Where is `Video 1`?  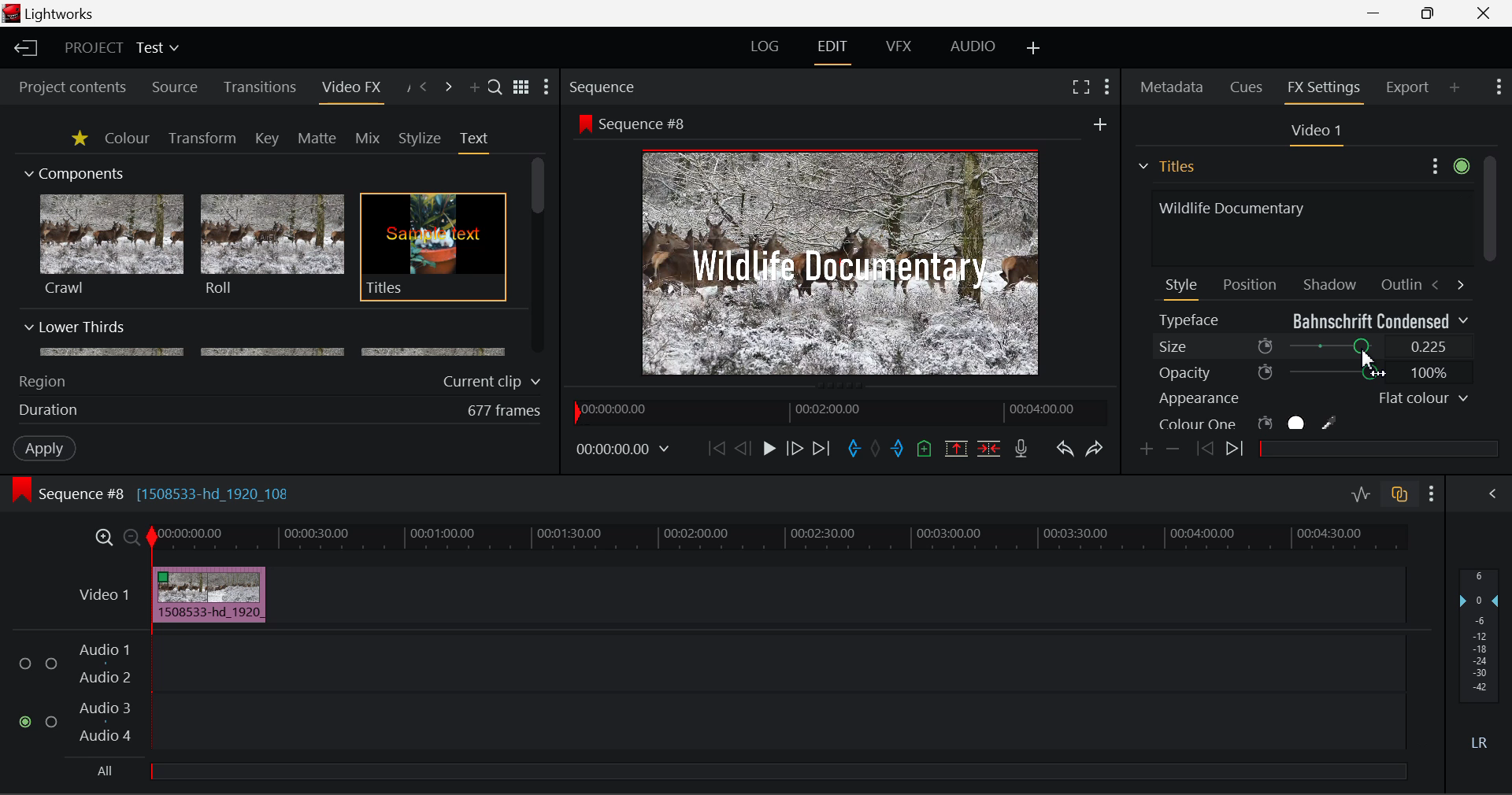
Video 1 is located at coordinates (1314, 131).